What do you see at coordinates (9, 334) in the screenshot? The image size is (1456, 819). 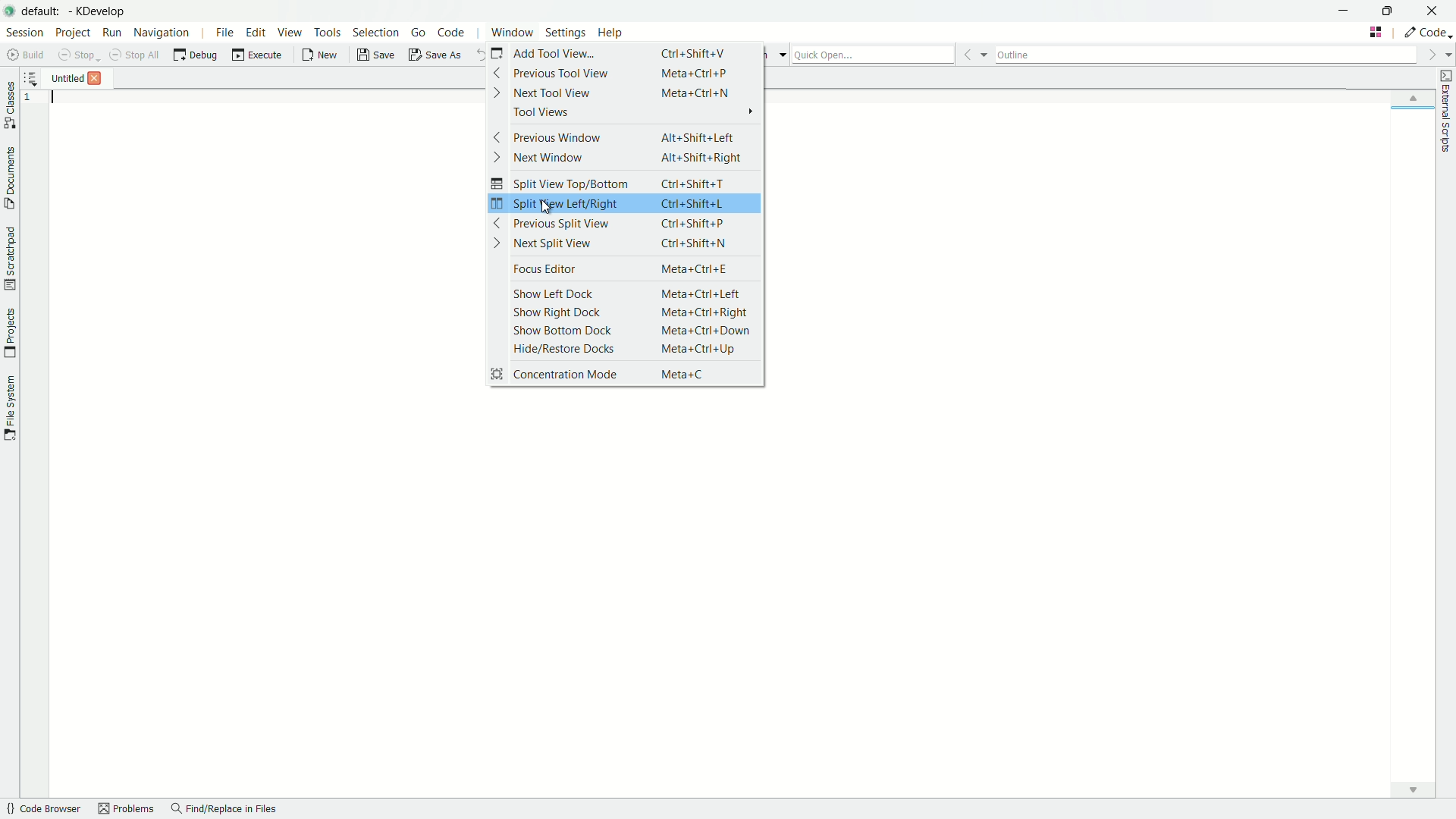 I see `toggle projects` at bounding box center [9, 334].